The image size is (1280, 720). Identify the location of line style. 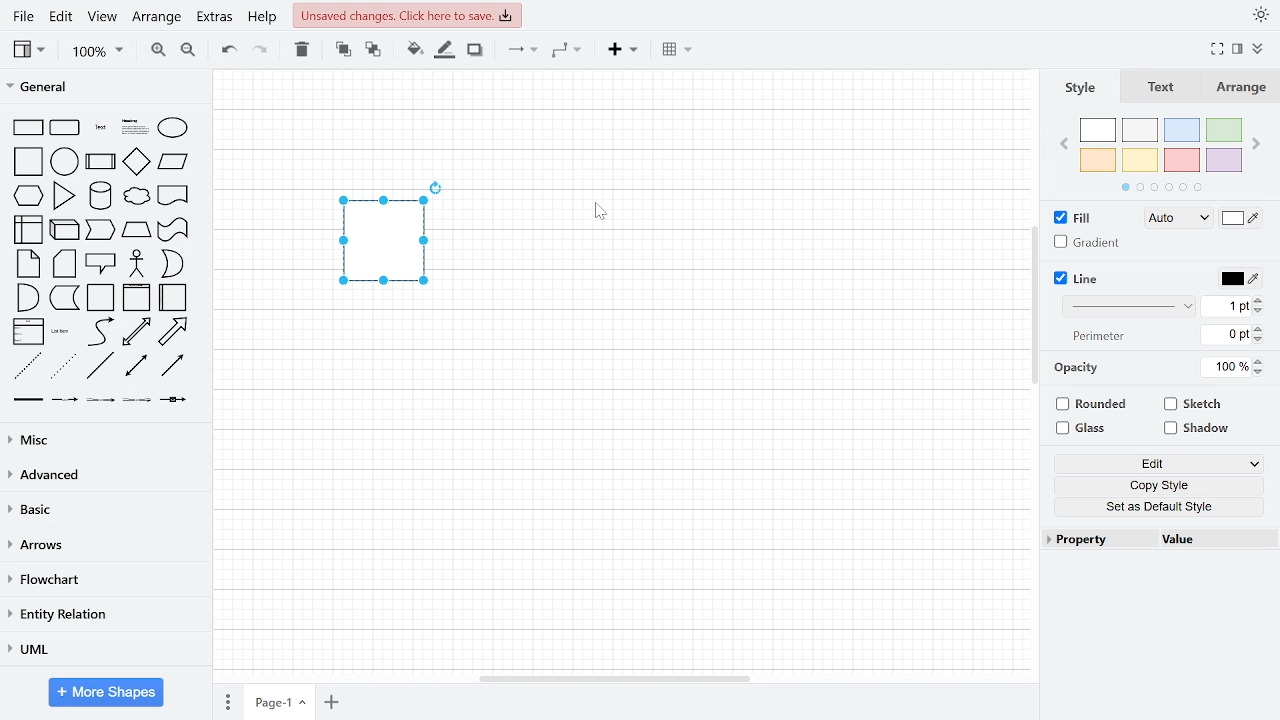
(1128, 306).